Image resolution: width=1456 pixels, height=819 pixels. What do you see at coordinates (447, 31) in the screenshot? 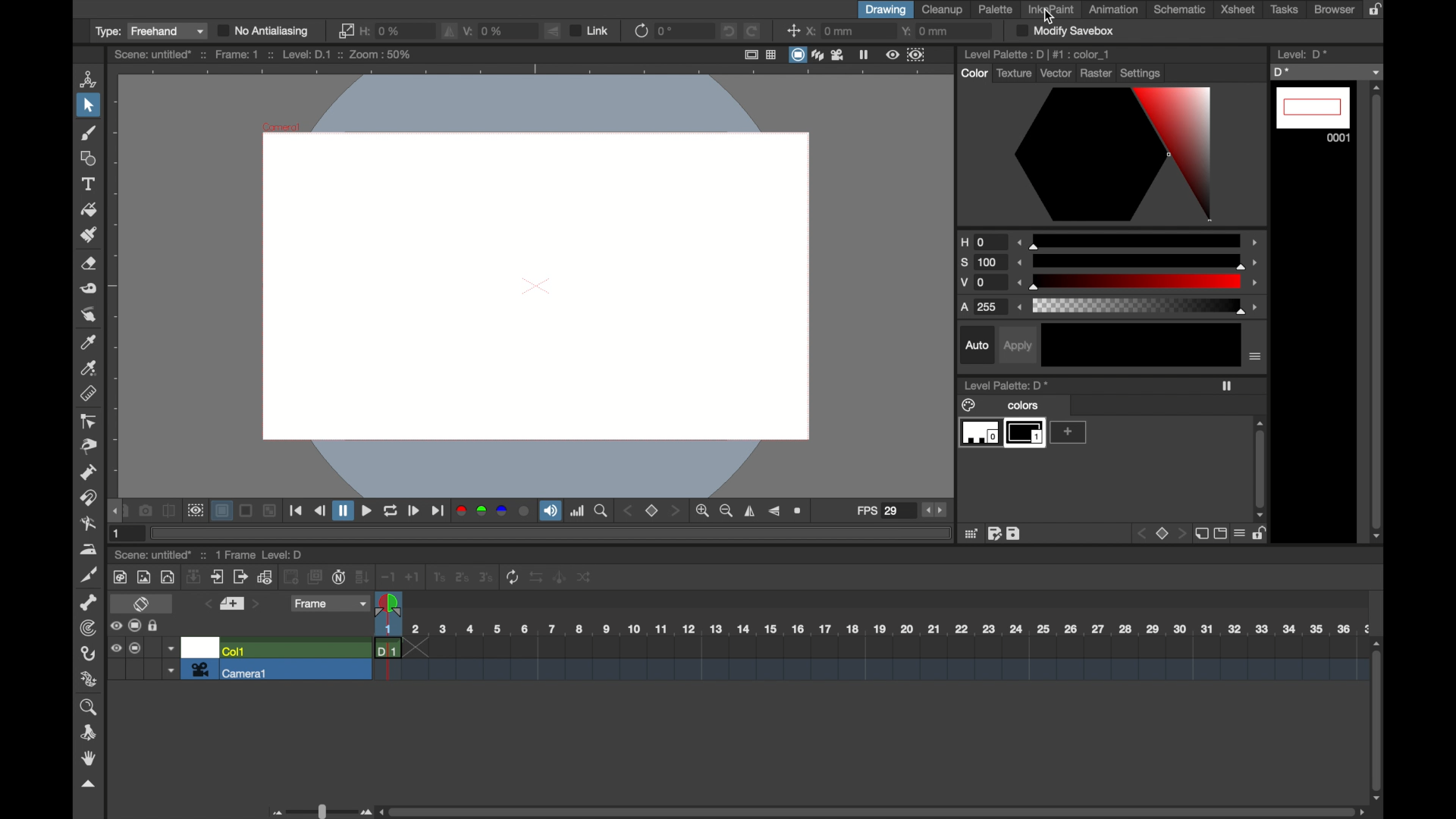
I see `flip vertically` at bounding box center [447, 31].